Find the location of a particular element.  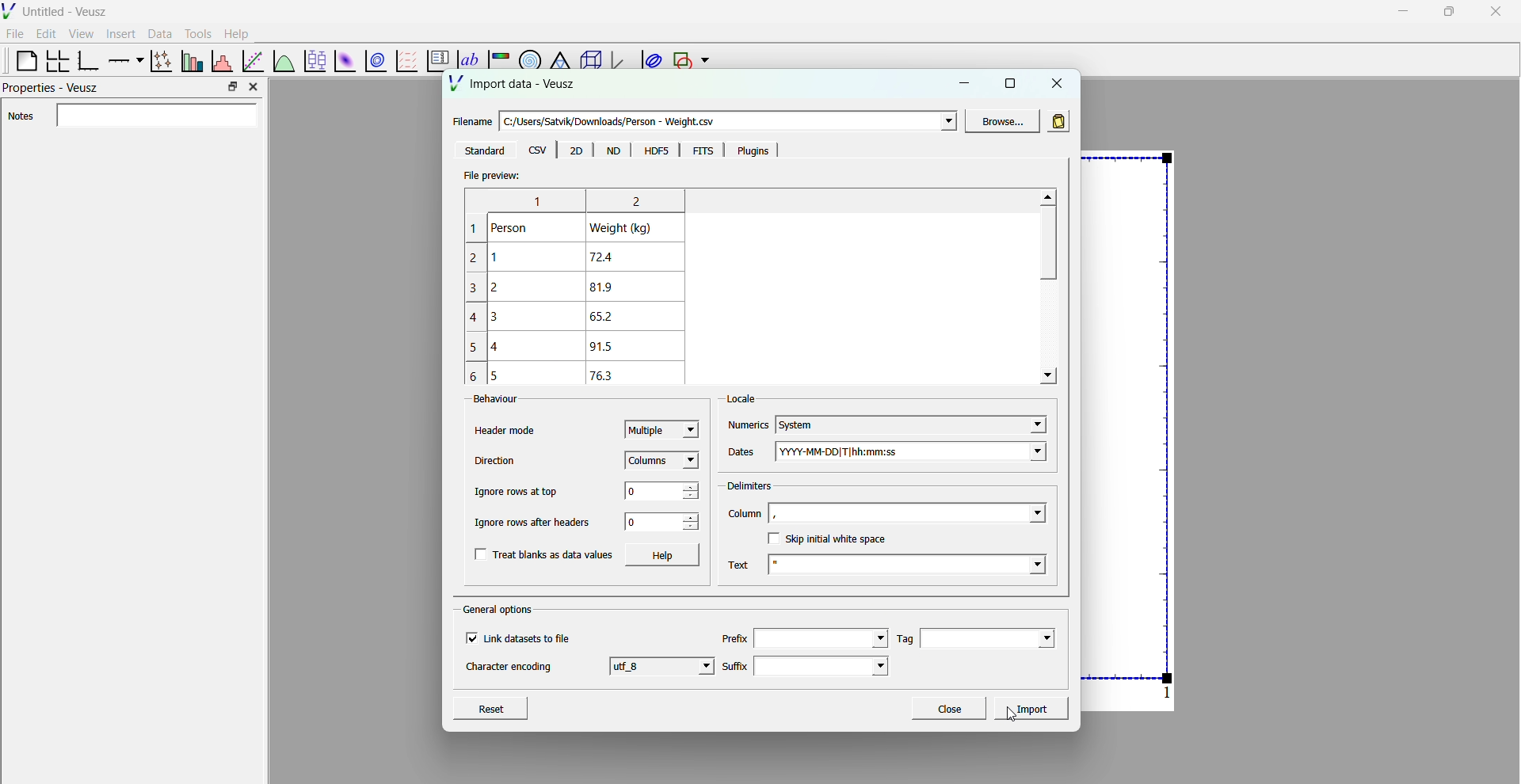

Header mode is located at coordinates (505, 431).